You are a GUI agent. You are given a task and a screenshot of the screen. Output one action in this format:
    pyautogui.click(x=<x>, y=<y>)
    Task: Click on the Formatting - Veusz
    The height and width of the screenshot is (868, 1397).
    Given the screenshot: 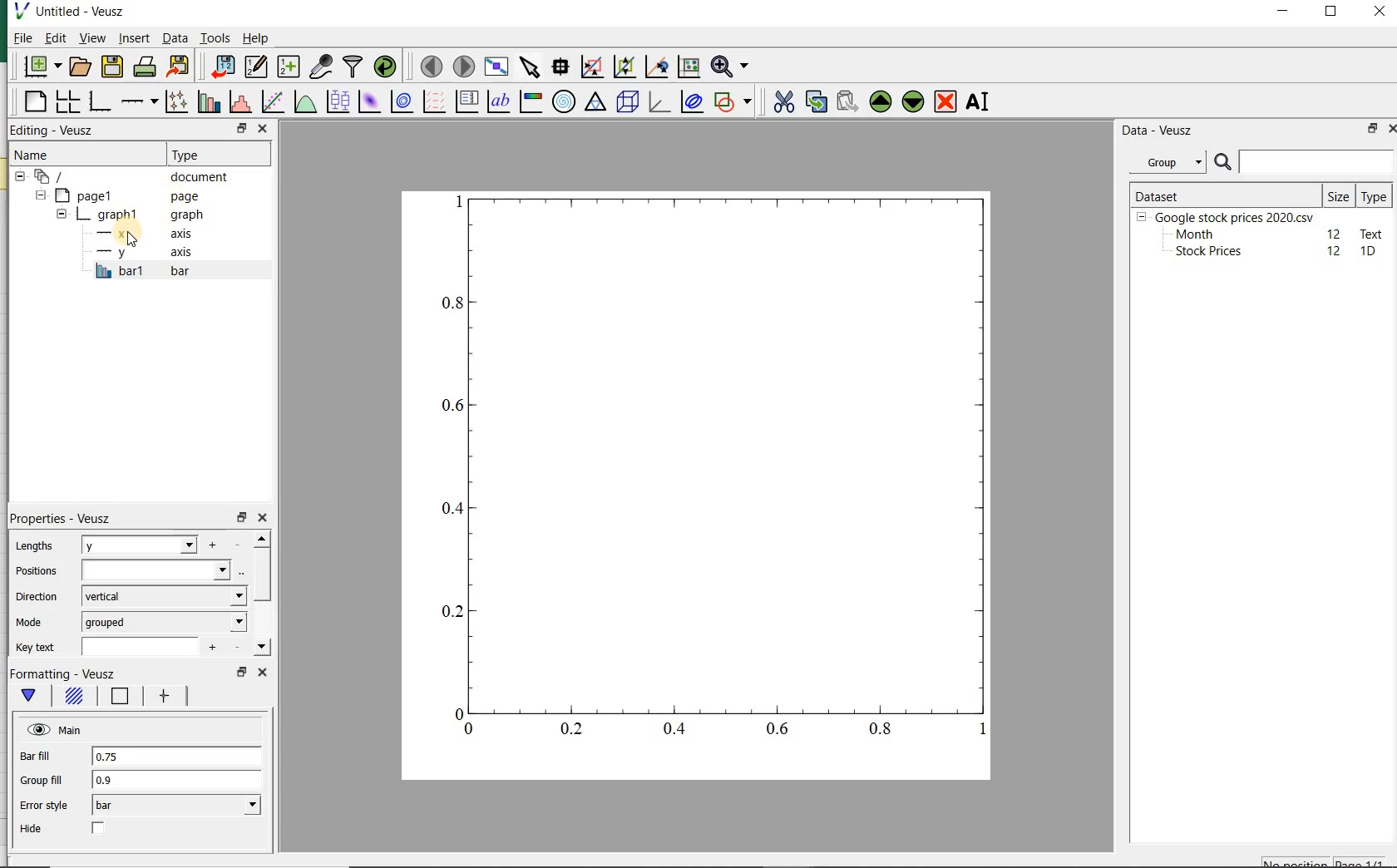 What is the action you would take?
    pyautogui.click(x=64, y=674)
    